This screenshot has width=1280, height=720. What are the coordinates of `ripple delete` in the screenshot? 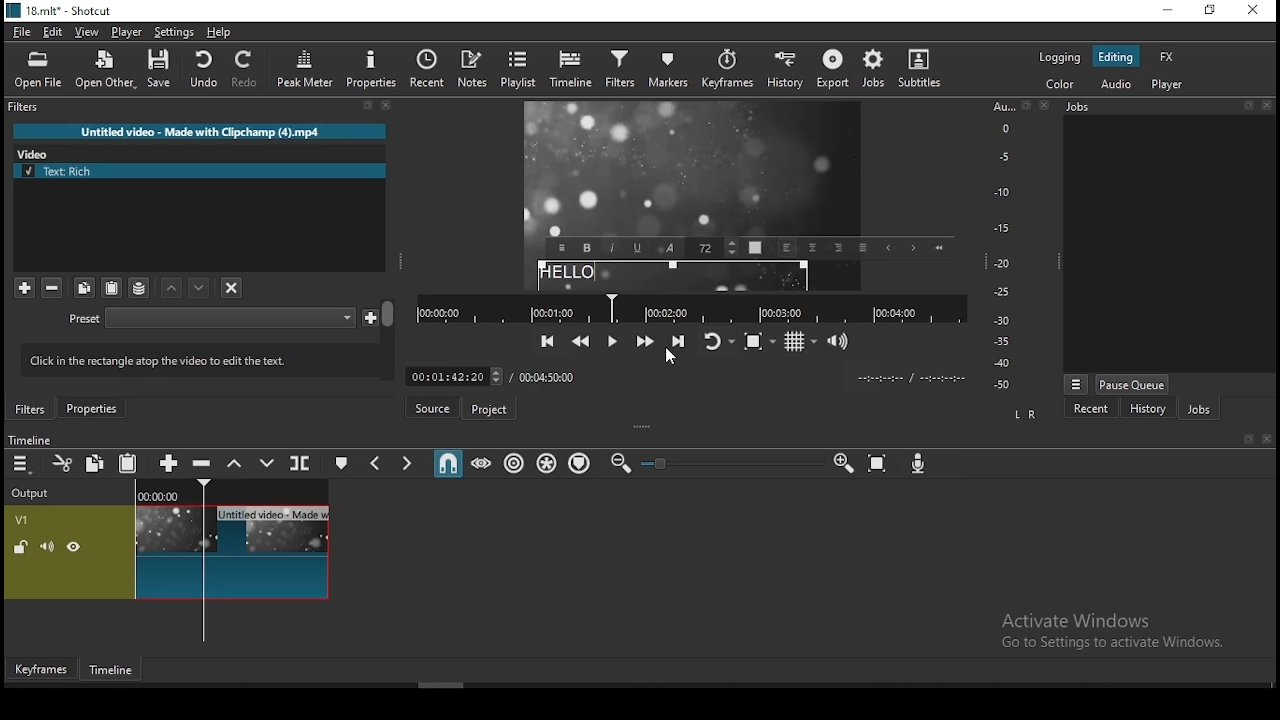 It's located at (204, 464).